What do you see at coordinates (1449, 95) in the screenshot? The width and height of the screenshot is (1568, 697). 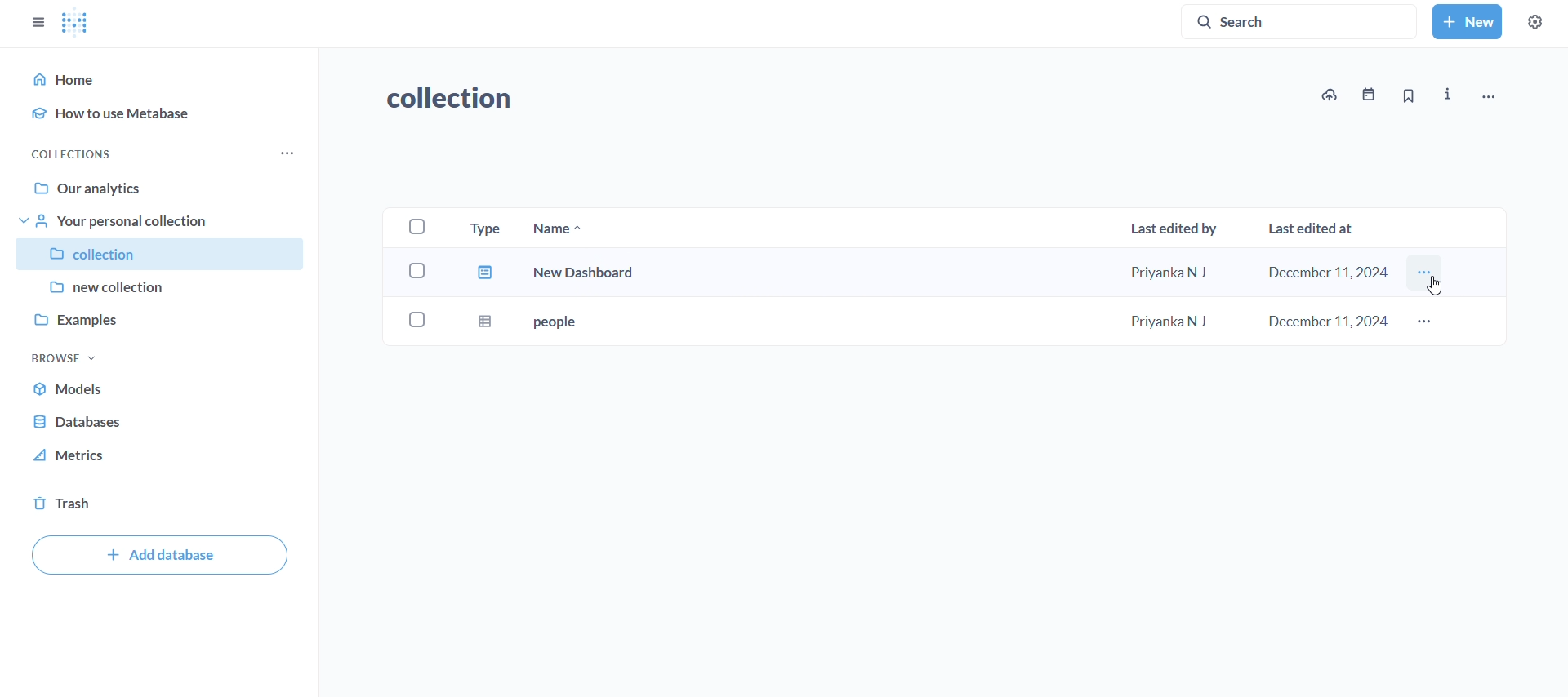 I see `more info` at bounding box center [1449, 95].